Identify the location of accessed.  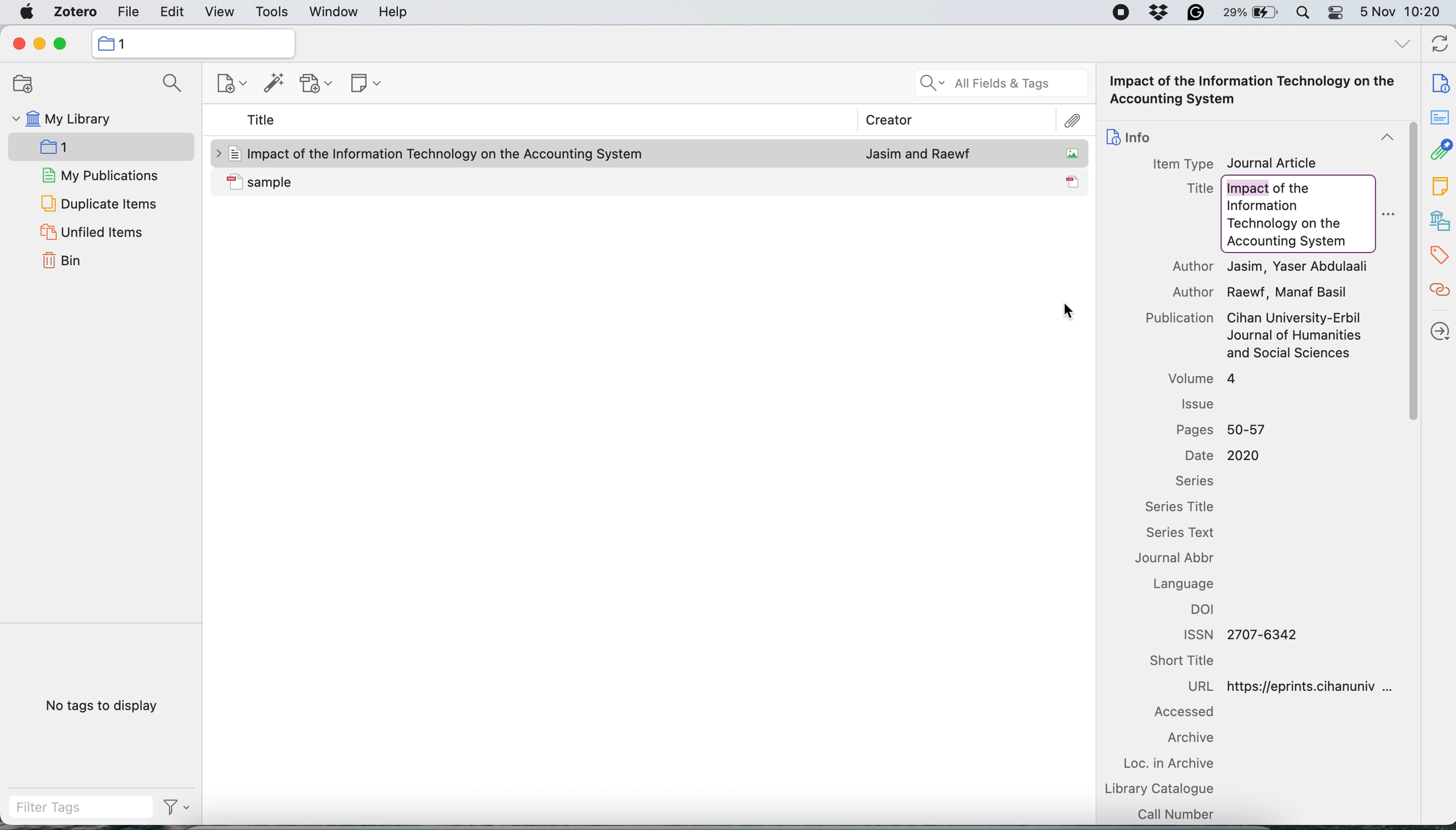
(1191, 711).